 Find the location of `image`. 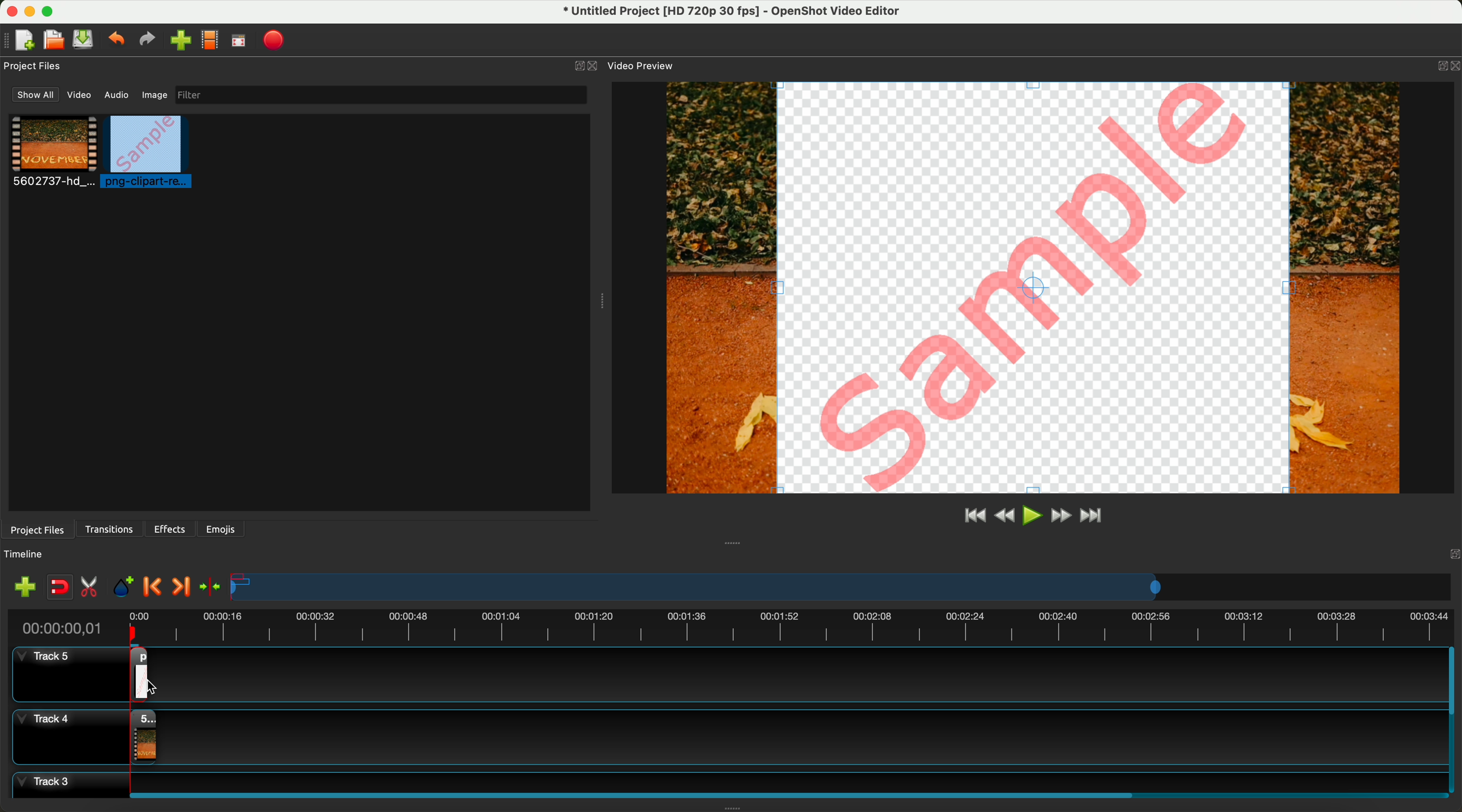

image is located at coordinates (153, 96).